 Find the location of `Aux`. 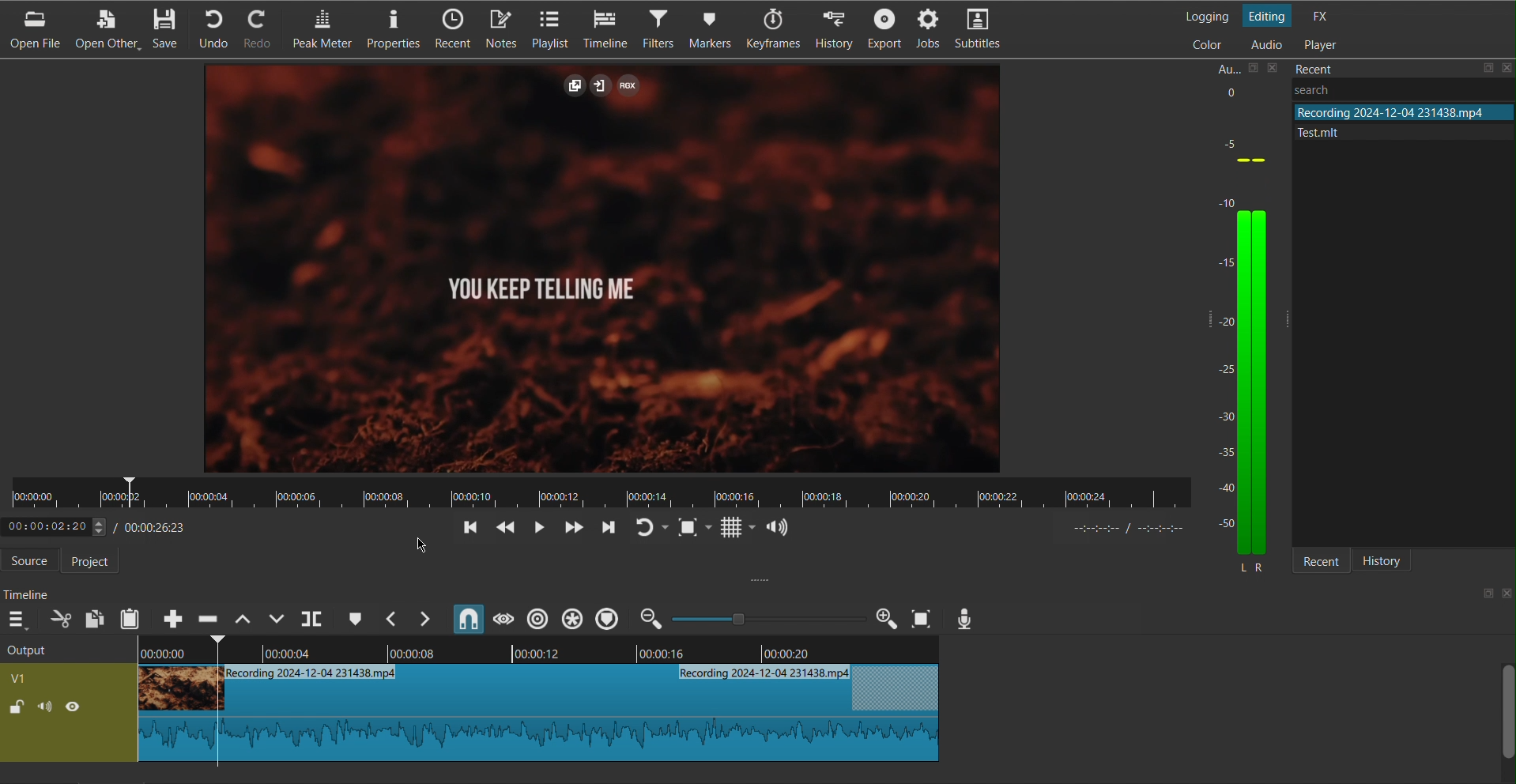

Aux is located at coordinates (1225, 66).